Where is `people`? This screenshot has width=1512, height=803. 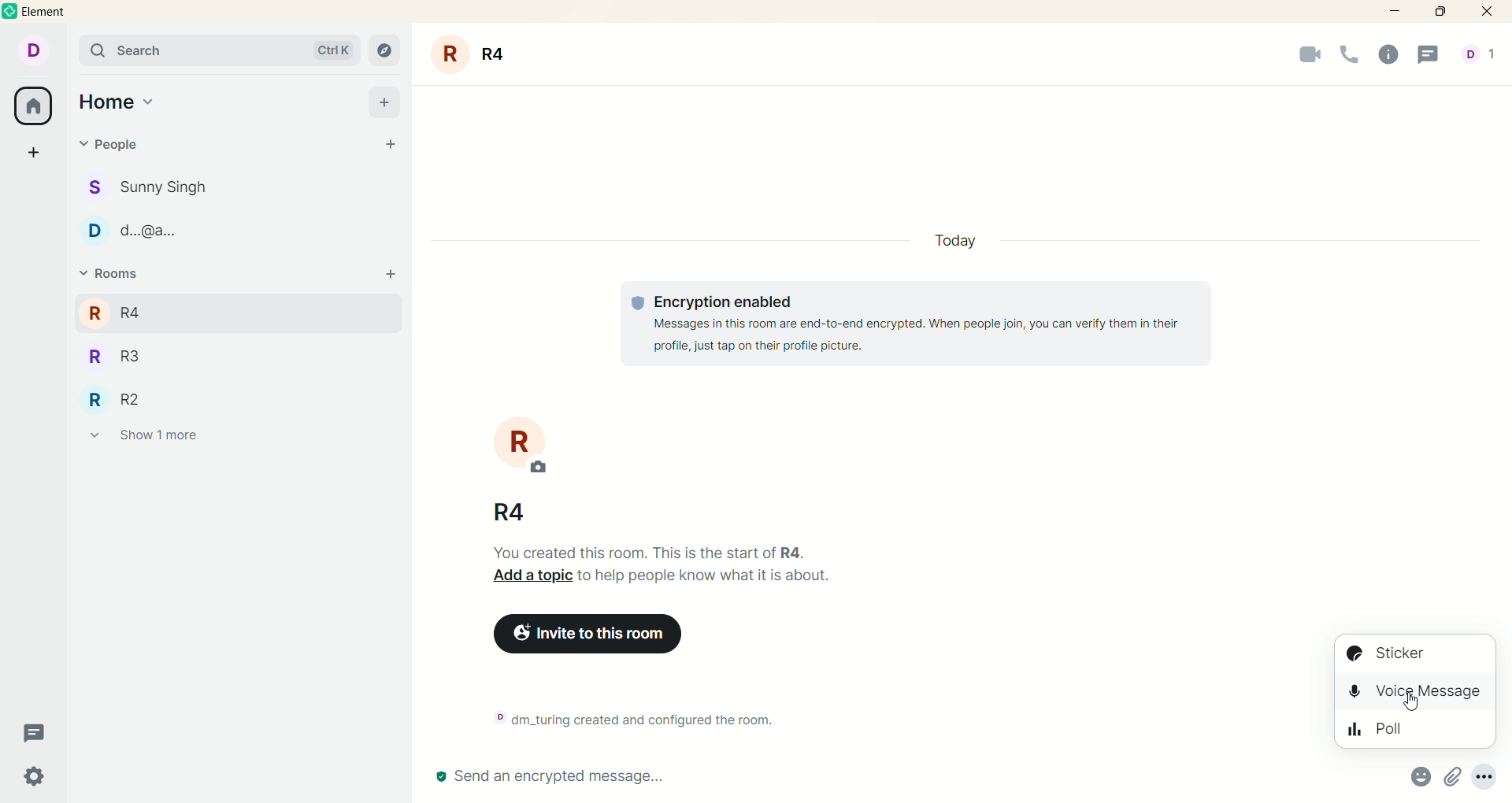
people is located at coordinates (1478, 56).